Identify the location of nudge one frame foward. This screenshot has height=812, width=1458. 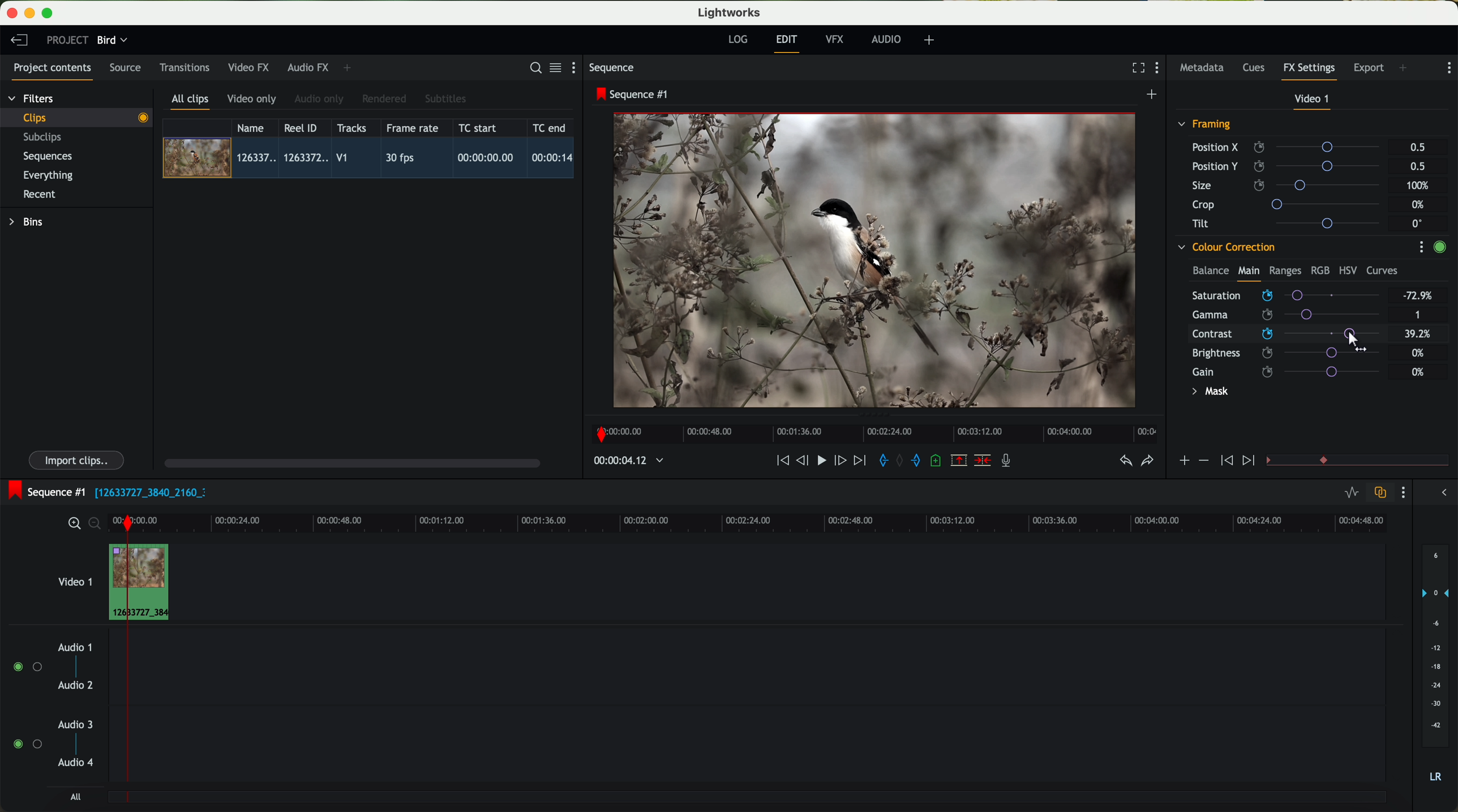
(842, 461).